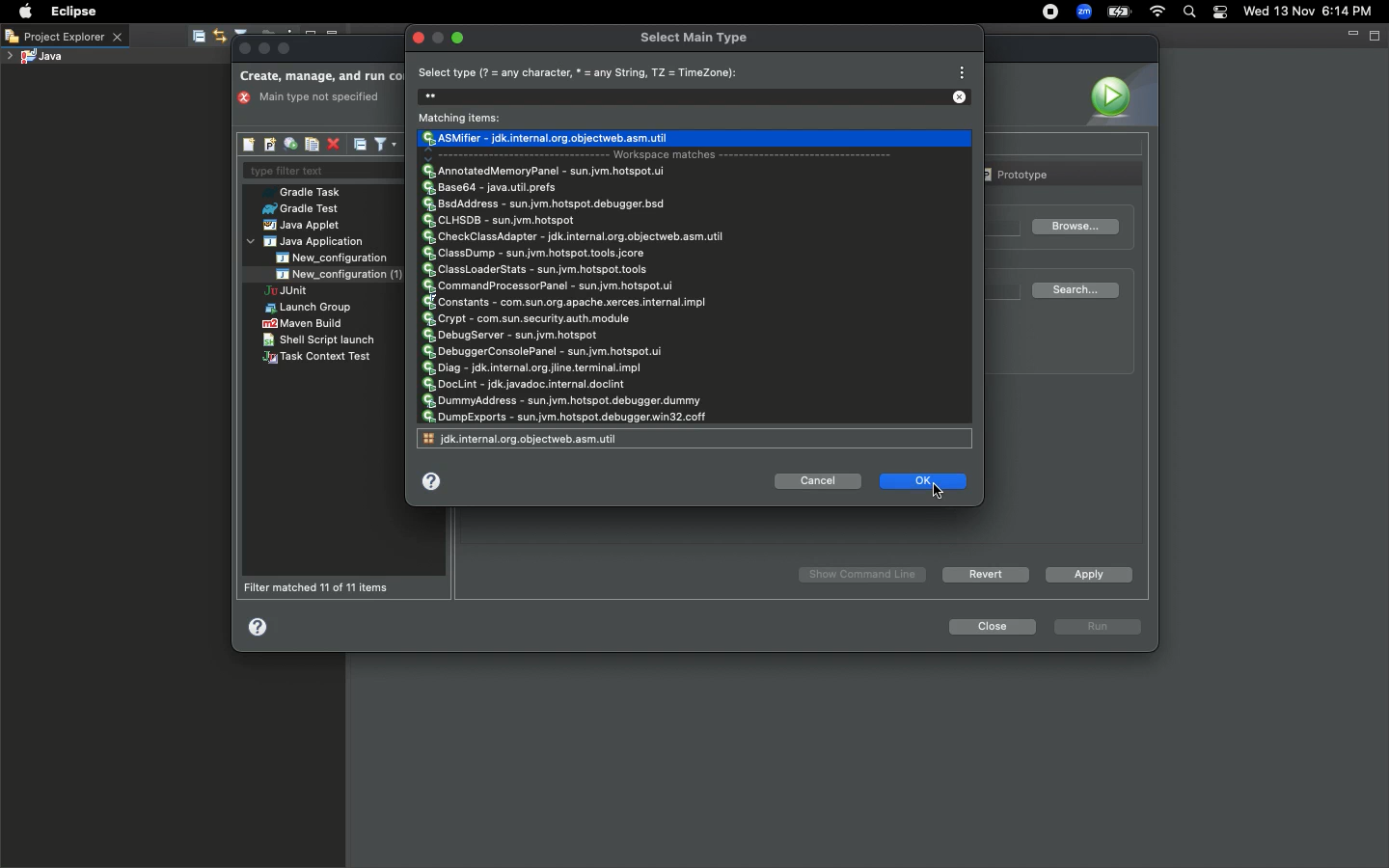 Image resolution: width=1389 pixels, height=868 pixels. What do you see at coordinates (246, 49) in the screenshot?
I see `Close` at bounding box center [246, 49].